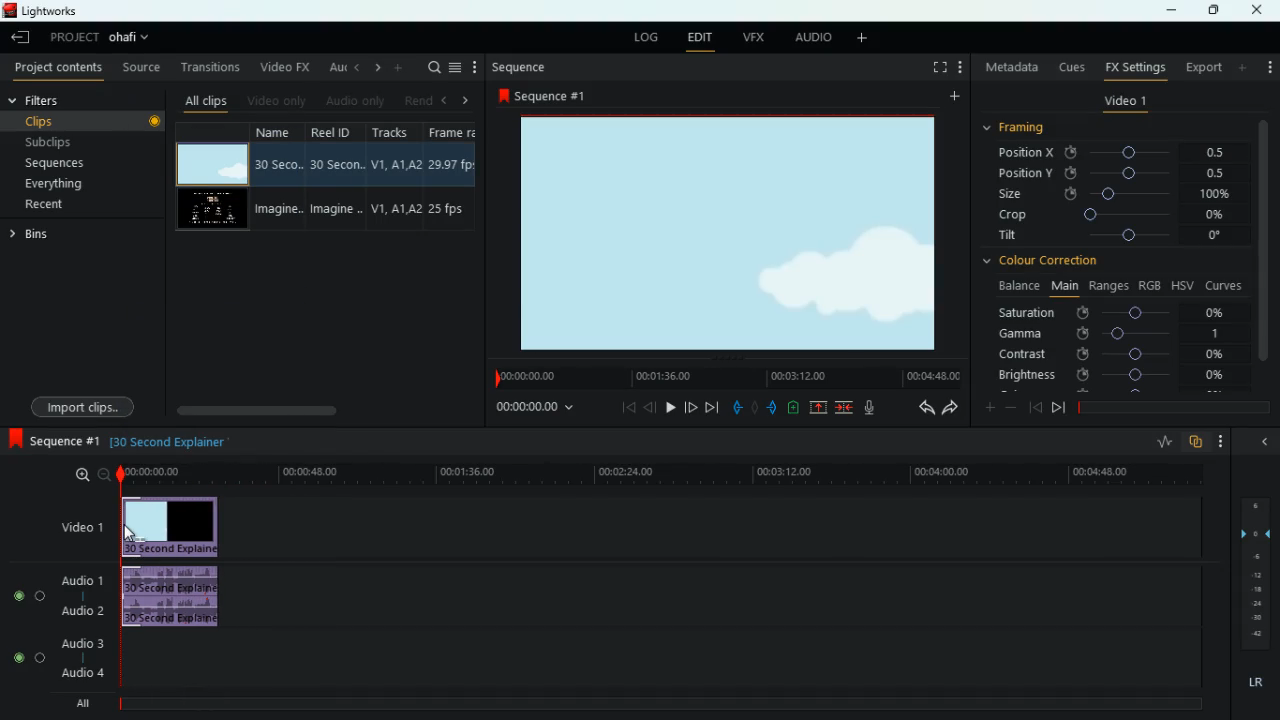  Describe the element at coordinates (700, 38) in the screenshot. I see `edit` at that location.